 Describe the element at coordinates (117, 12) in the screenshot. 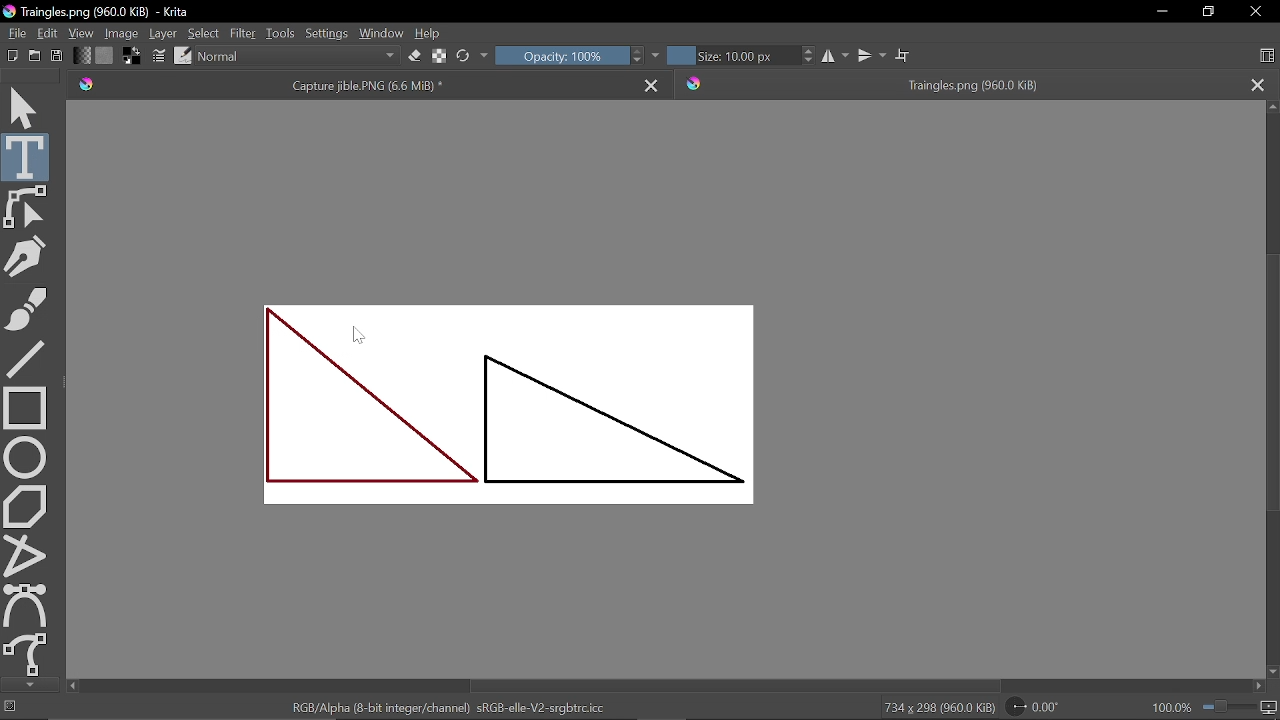

I see `Triangles.png (960.0 KiB)` at that location.